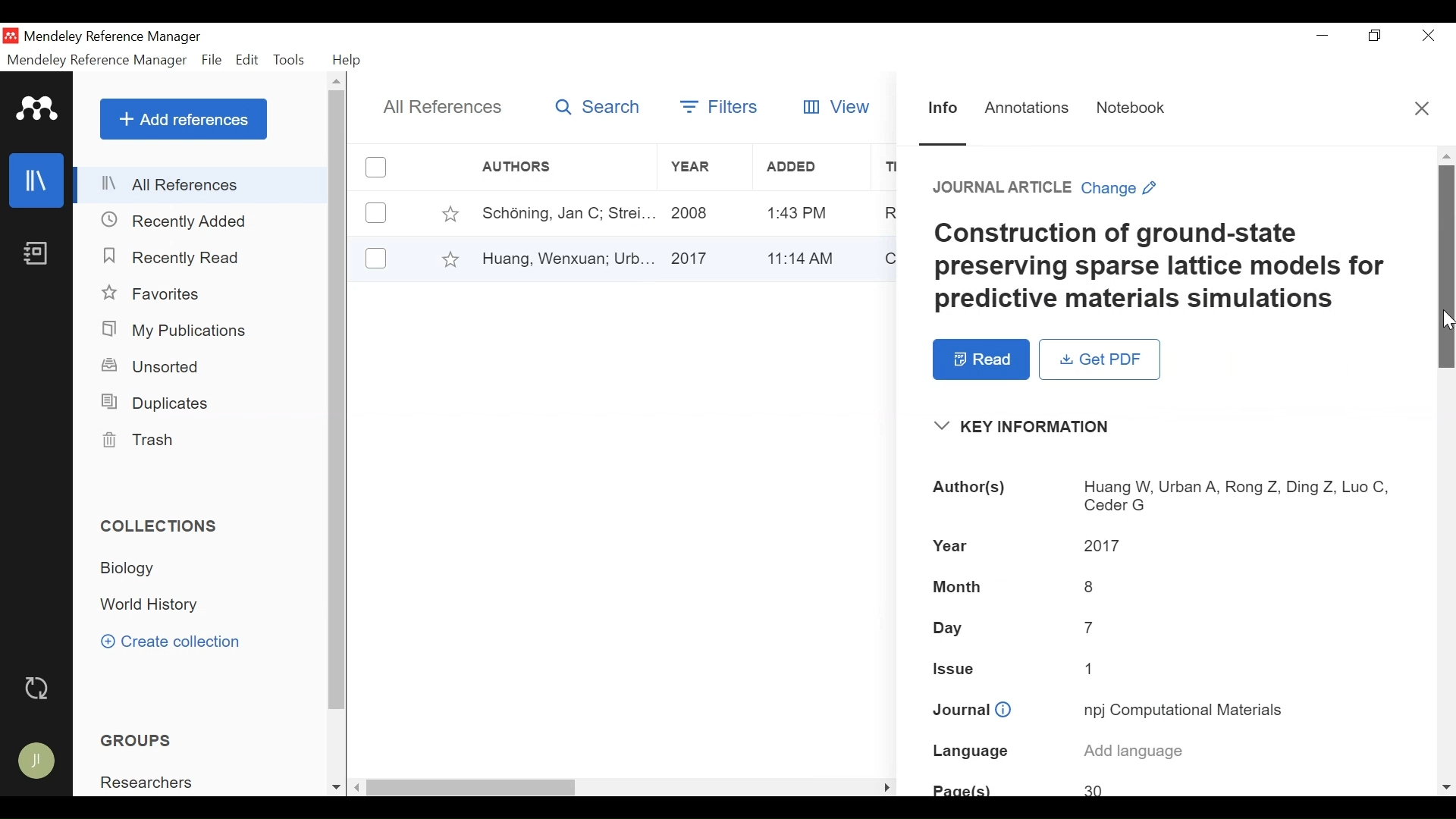 The image size is (1456, 819). What do you see at coordinates (808, 212) in the screenshot?
I see `Added` at bounding box center [808, 212].